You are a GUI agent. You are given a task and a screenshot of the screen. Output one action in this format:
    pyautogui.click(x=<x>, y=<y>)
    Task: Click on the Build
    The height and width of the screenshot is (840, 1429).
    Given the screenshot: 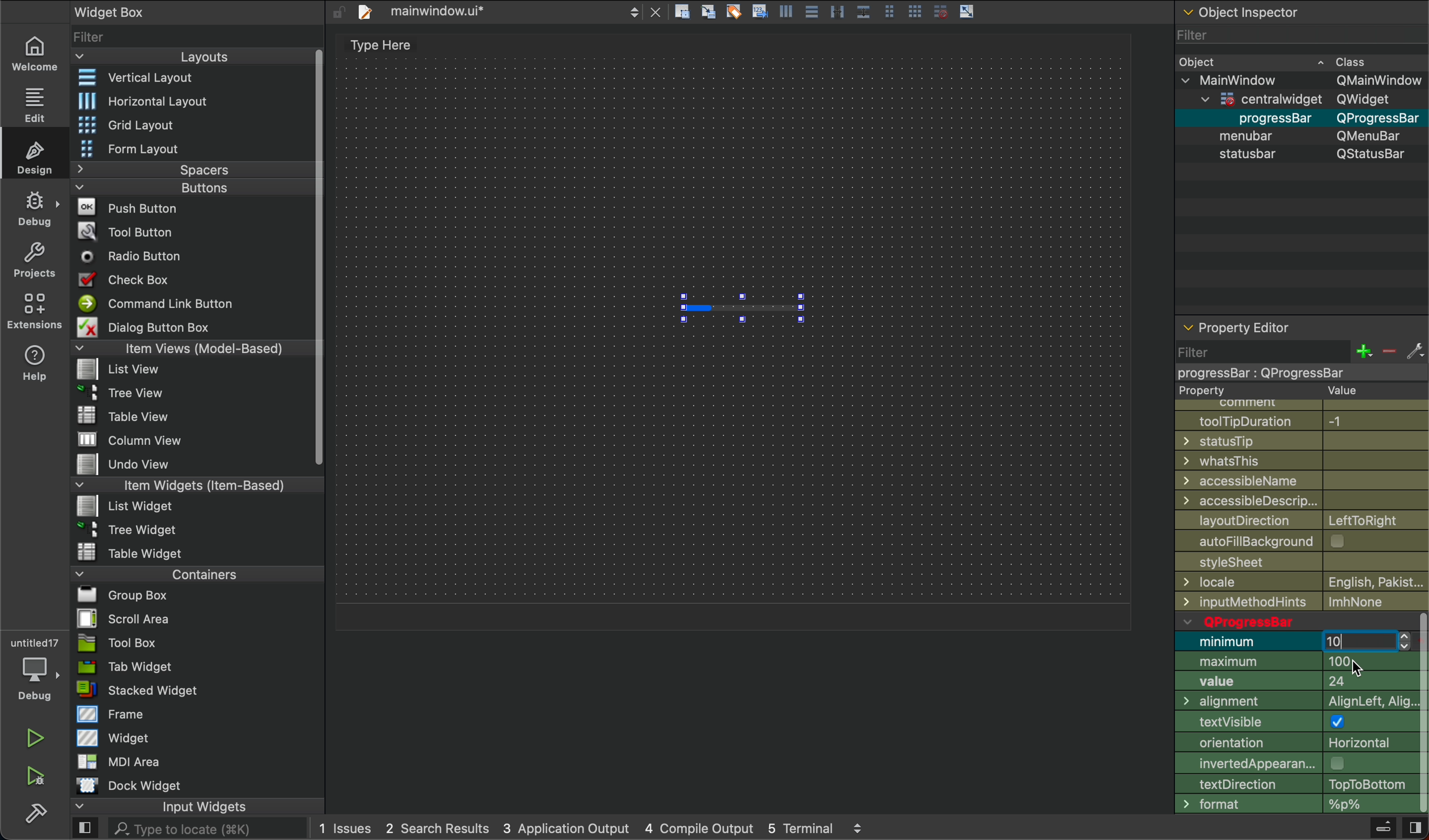 What is the action you would take?
    pyautogui.click(x=1382, y=829)
    